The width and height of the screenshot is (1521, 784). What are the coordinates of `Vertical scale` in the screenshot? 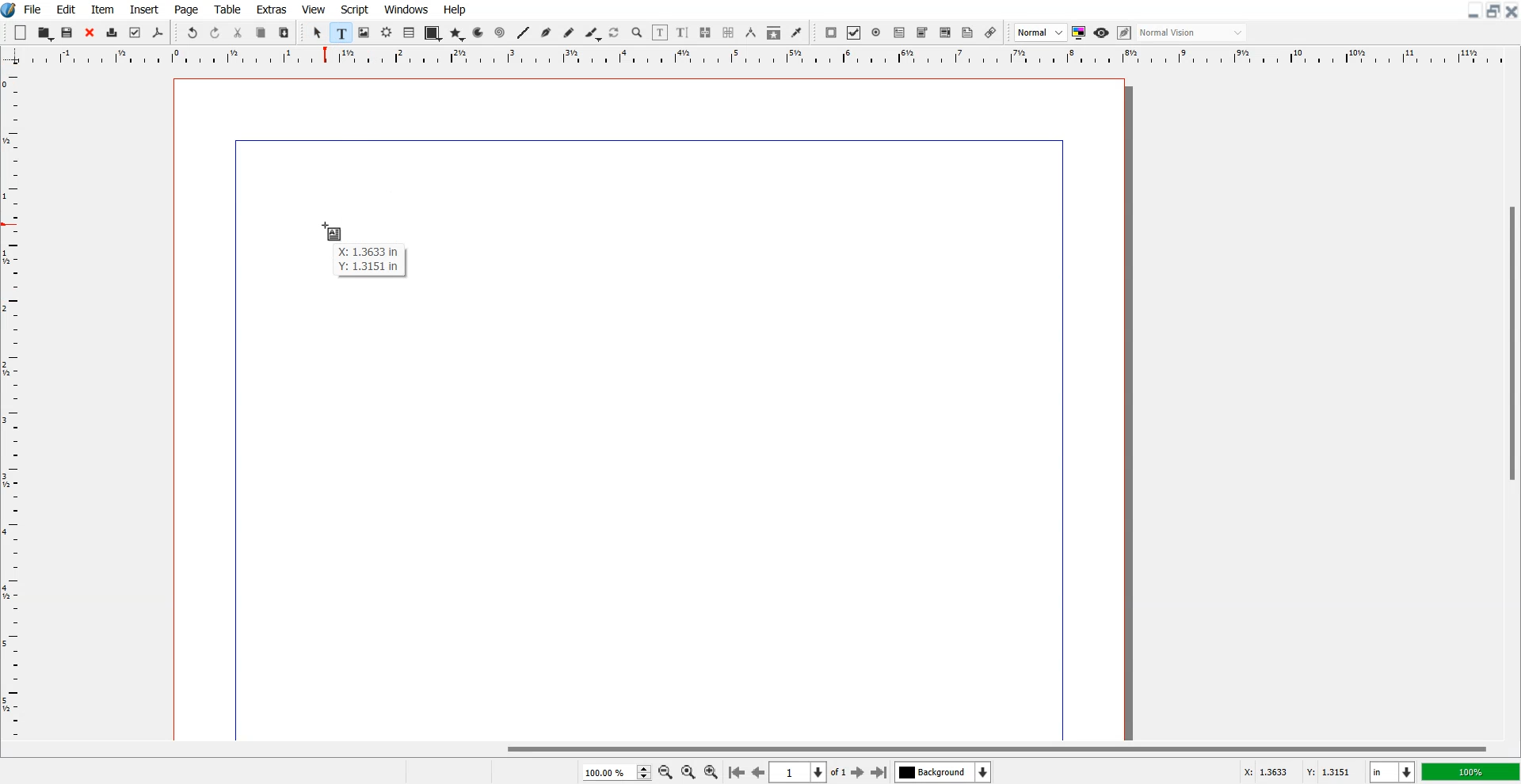 It's located at (11, 393).